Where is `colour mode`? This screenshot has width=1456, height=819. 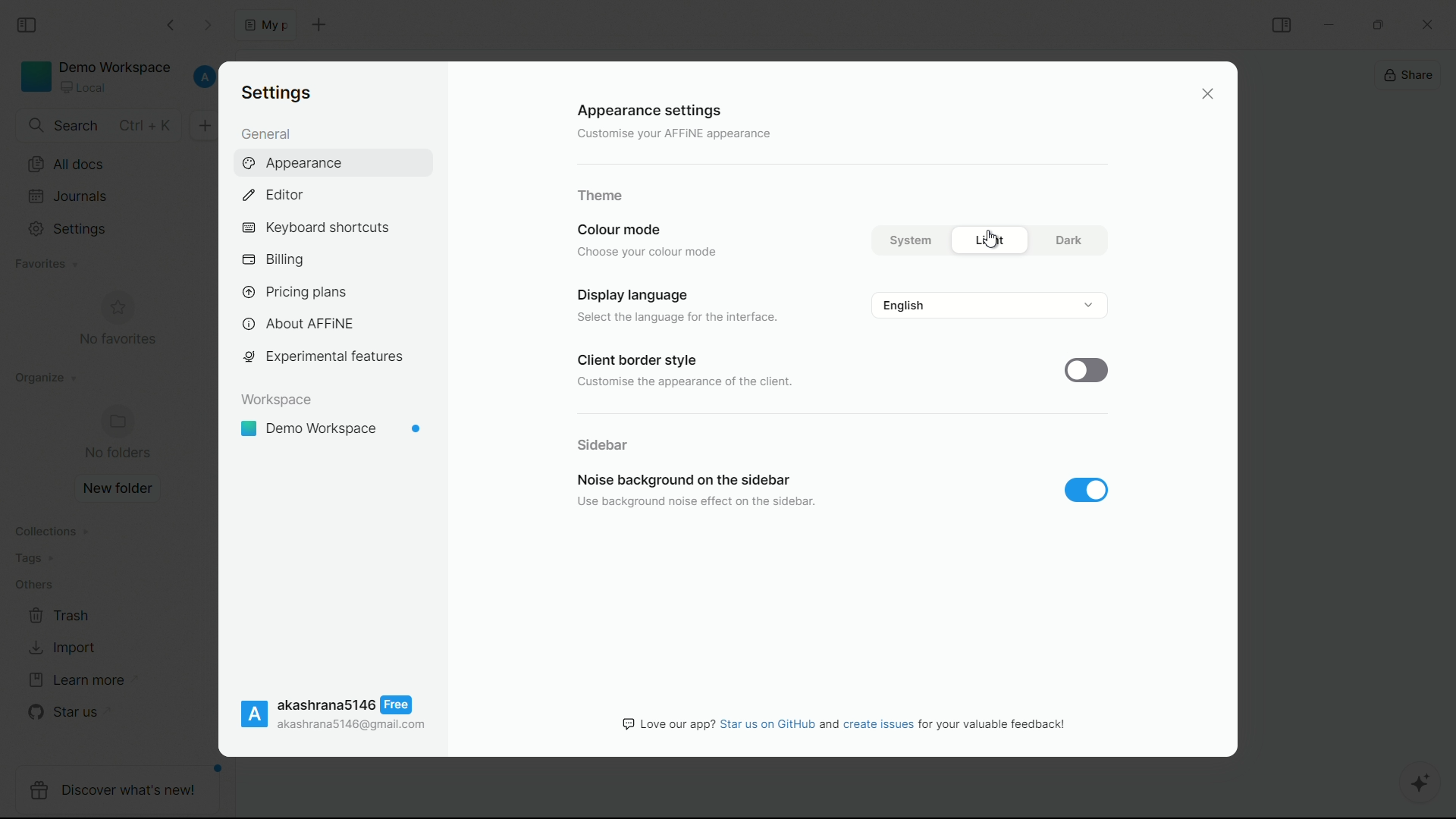 colour mode is located at coordinates (617, 230).